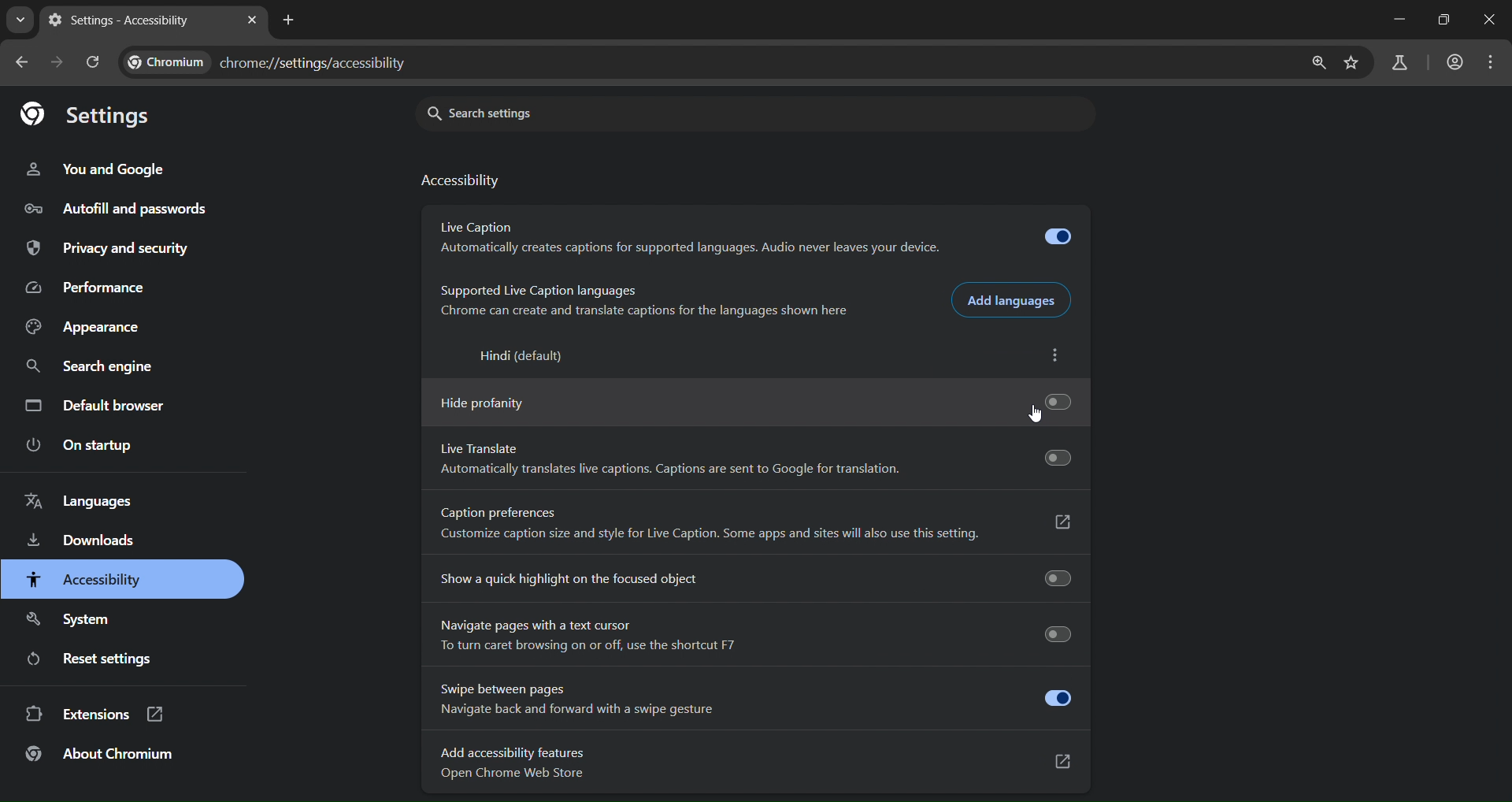 This screenshot has width=1512, height=802. I want to click on go forward one page, so click(60, 65).